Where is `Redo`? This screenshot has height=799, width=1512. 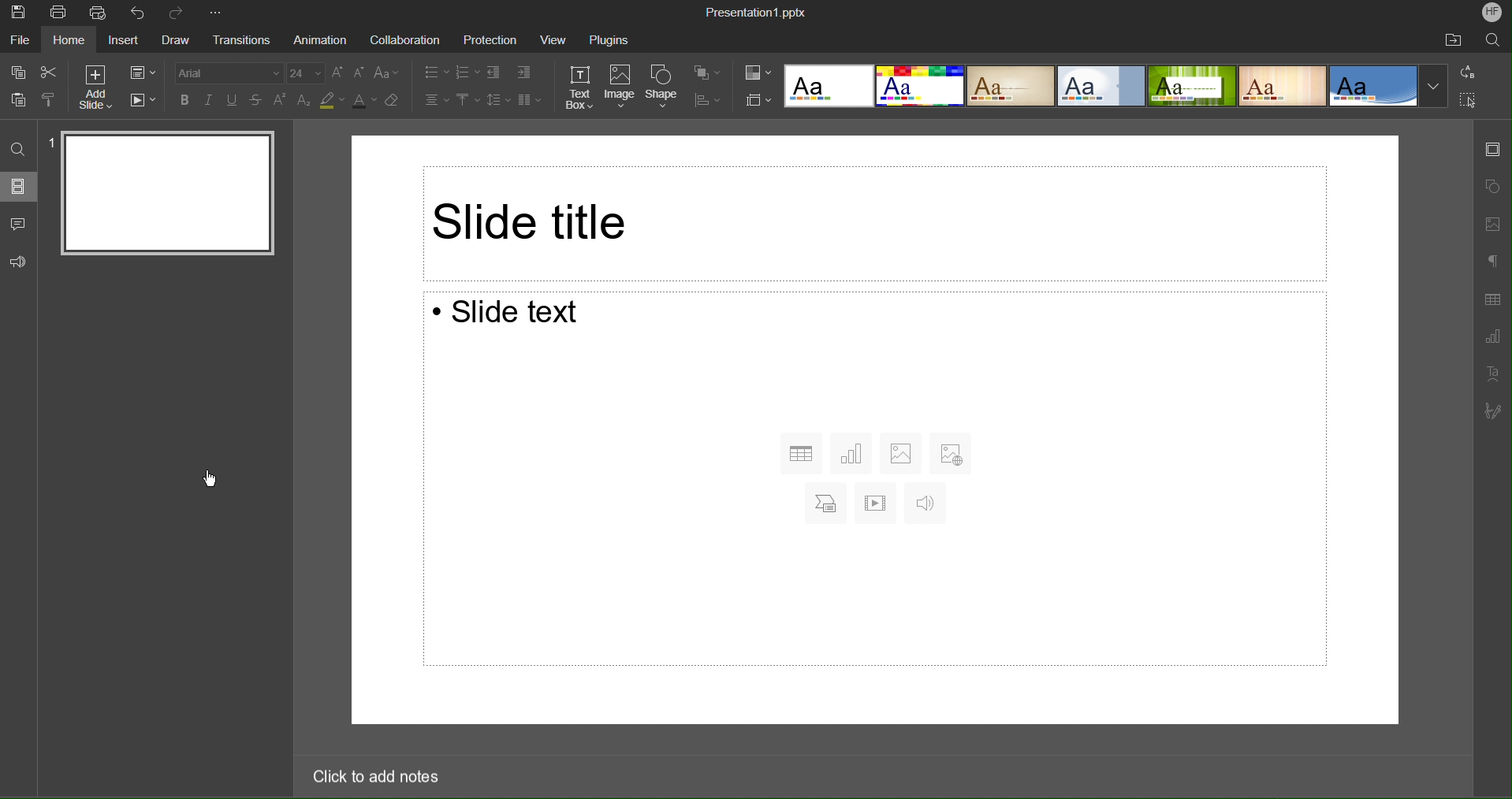
Redo is located at coordinates (178, 13).